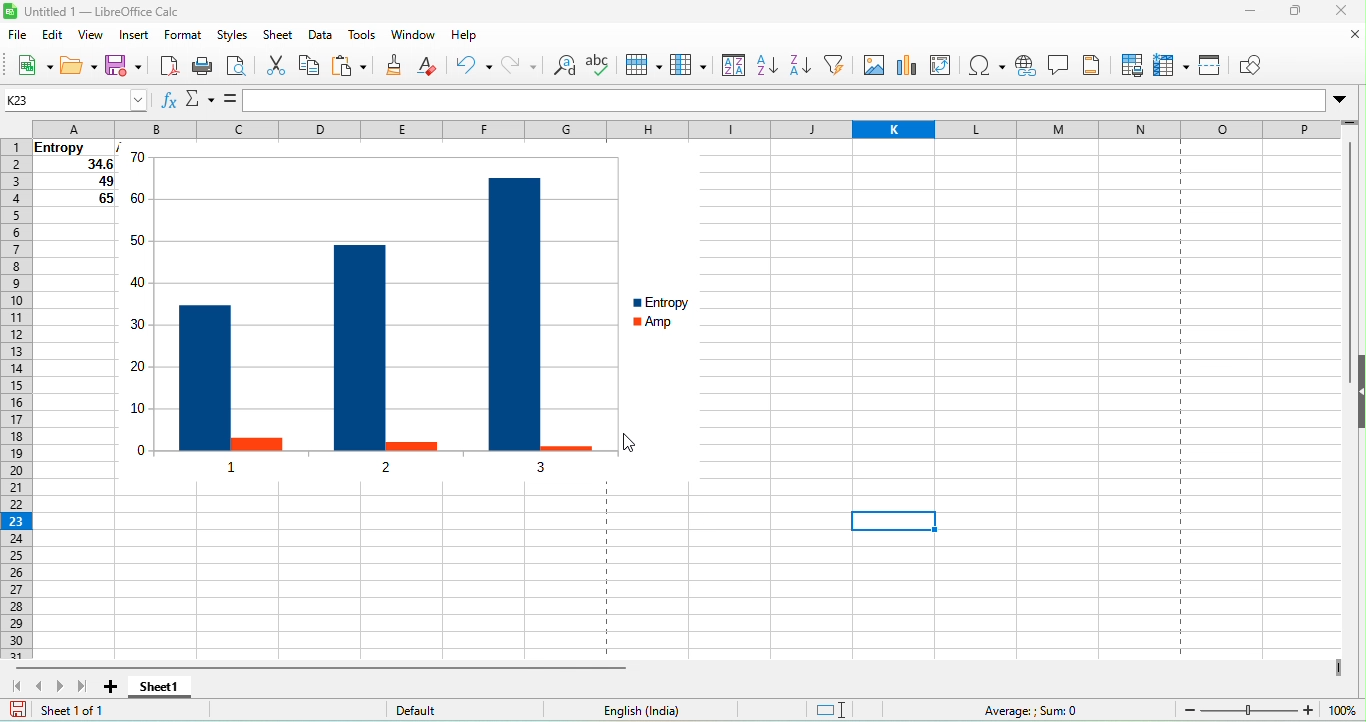  Describe the element at coordinates (197, 101) in the screenshot. I see `select function` at that location.